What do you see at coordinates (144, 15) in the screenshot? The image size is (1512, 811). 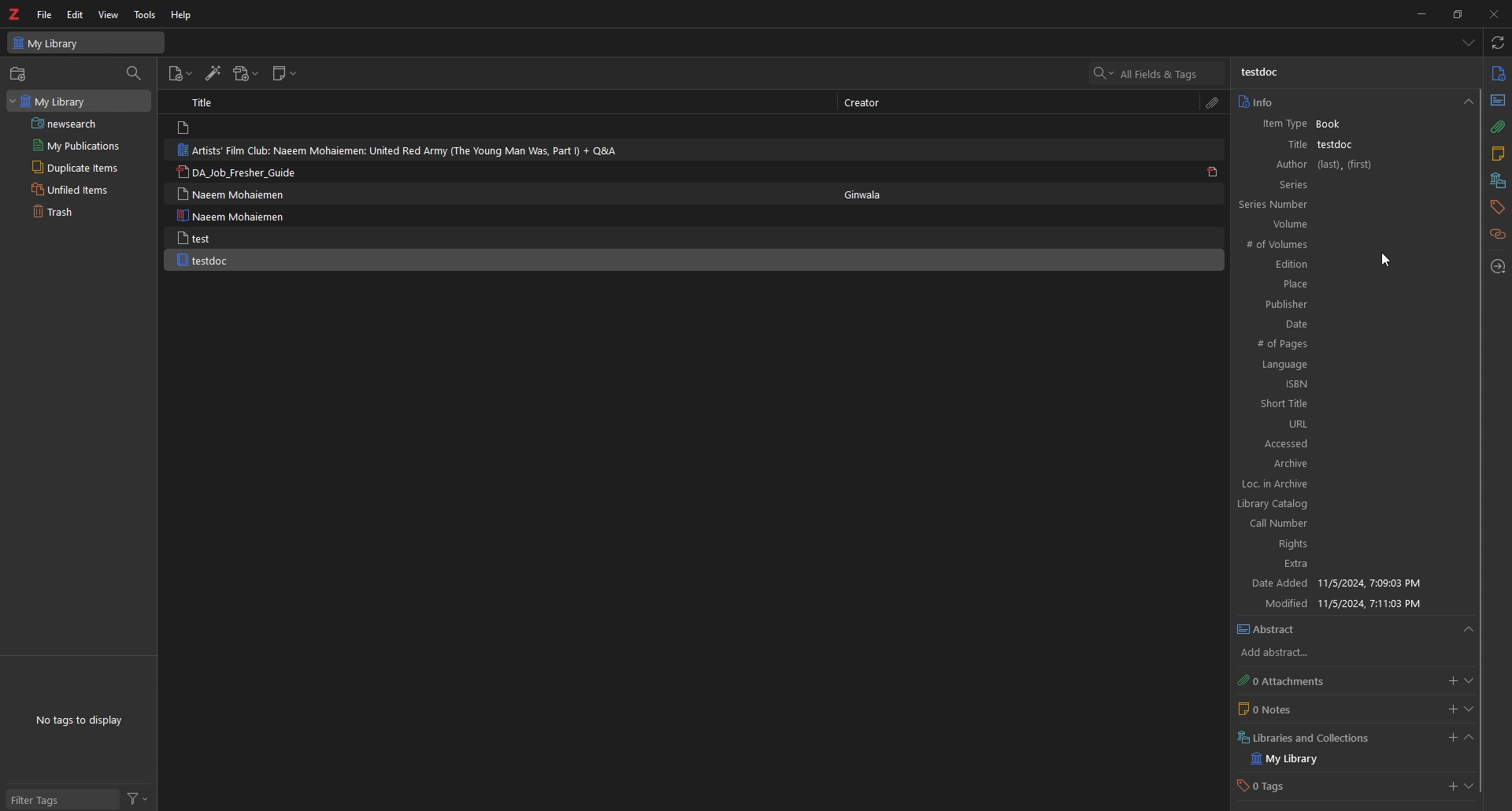 I see `tools` at bounding box center [144, 15].